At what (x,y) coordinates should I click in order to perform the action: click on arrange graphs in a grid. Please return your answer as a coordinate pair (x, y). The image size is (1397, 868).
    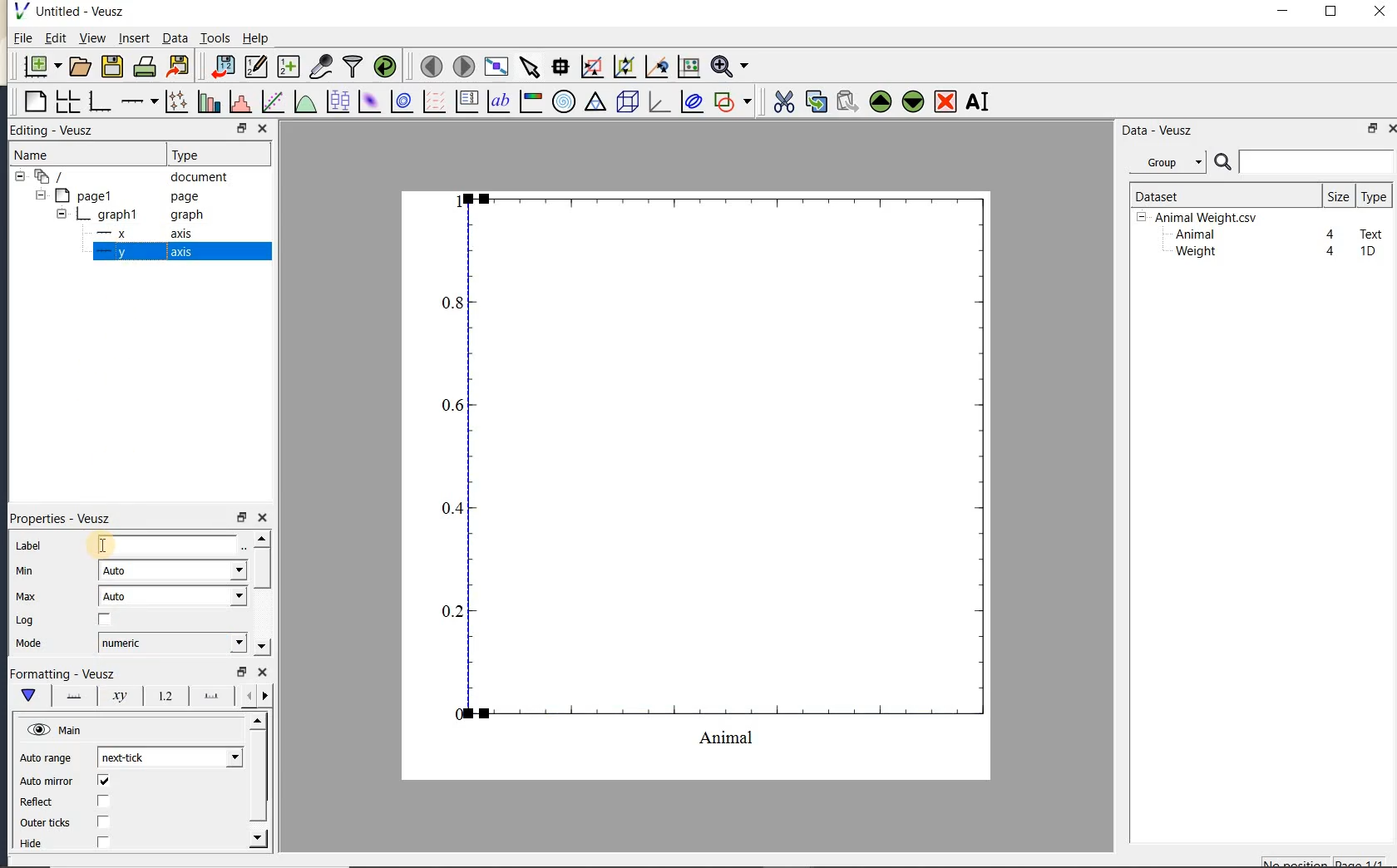
    Looking at the image, I should click on (67, 101).